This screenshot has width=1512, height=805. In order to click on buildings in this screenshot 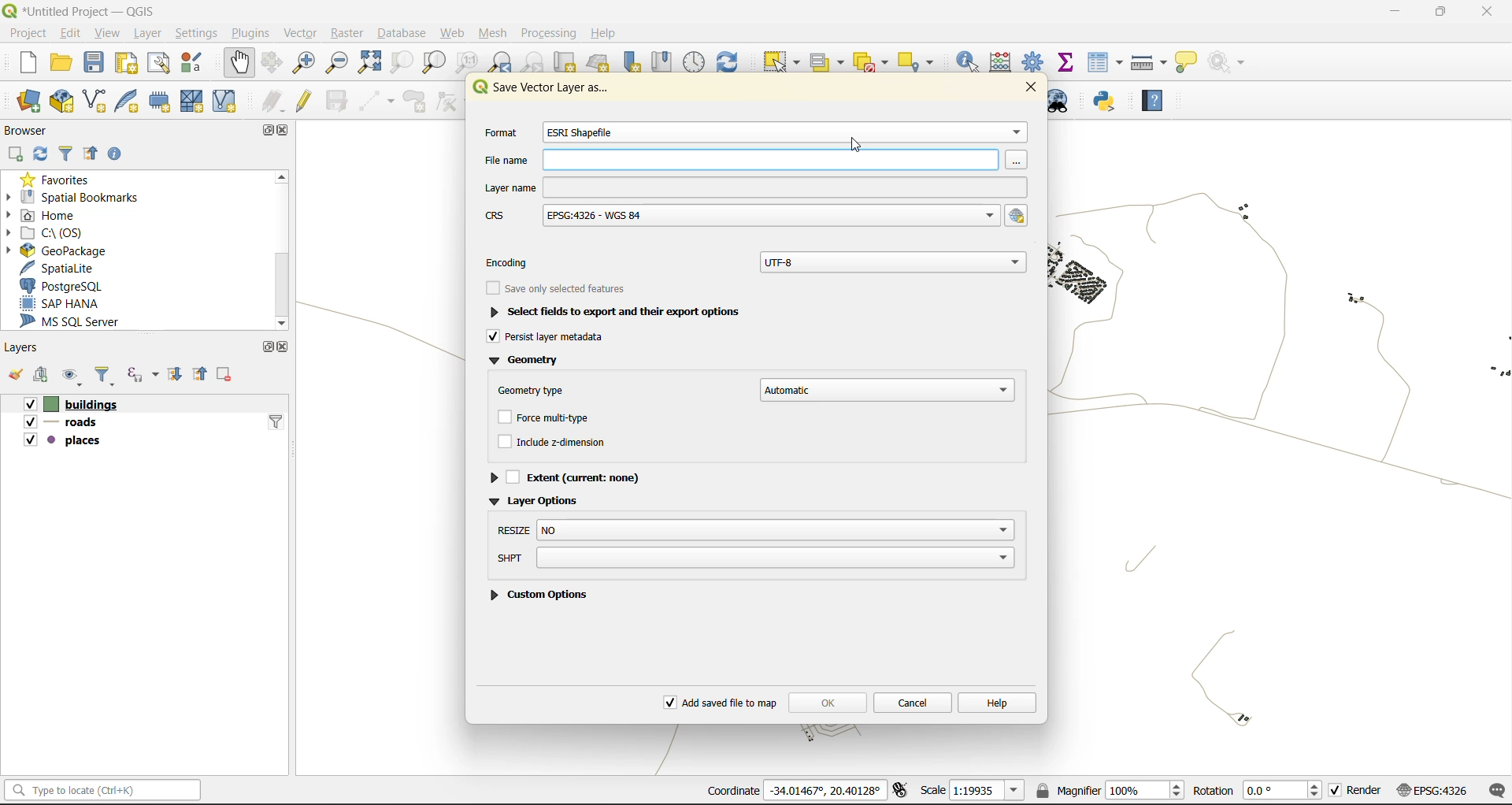, I will do `click(63, 403)`.